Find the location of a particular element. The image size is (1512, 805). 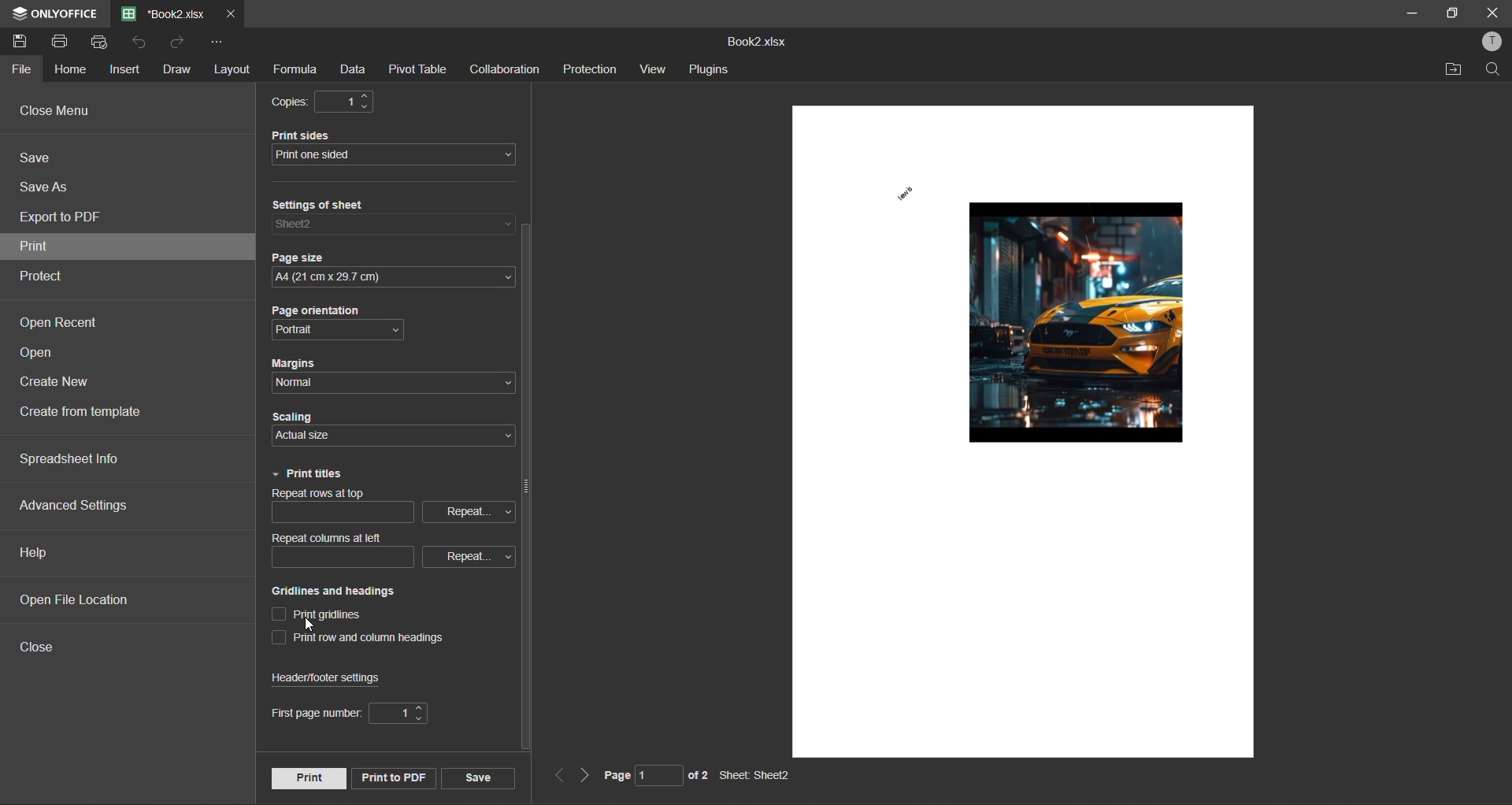

page size is located at coordinates (307, 256).